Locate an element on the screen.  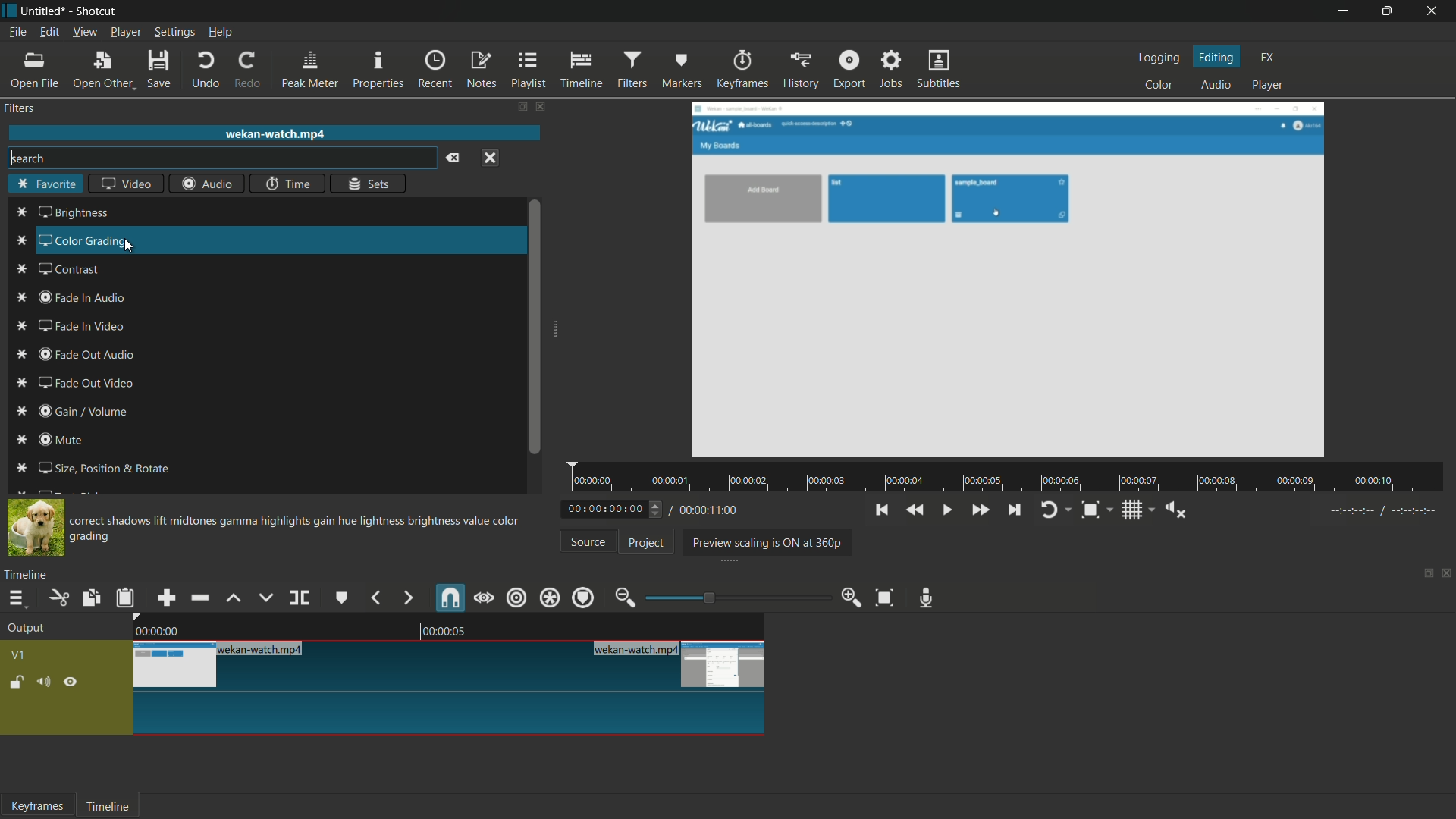
change layout is located at coordinates (522, 107).